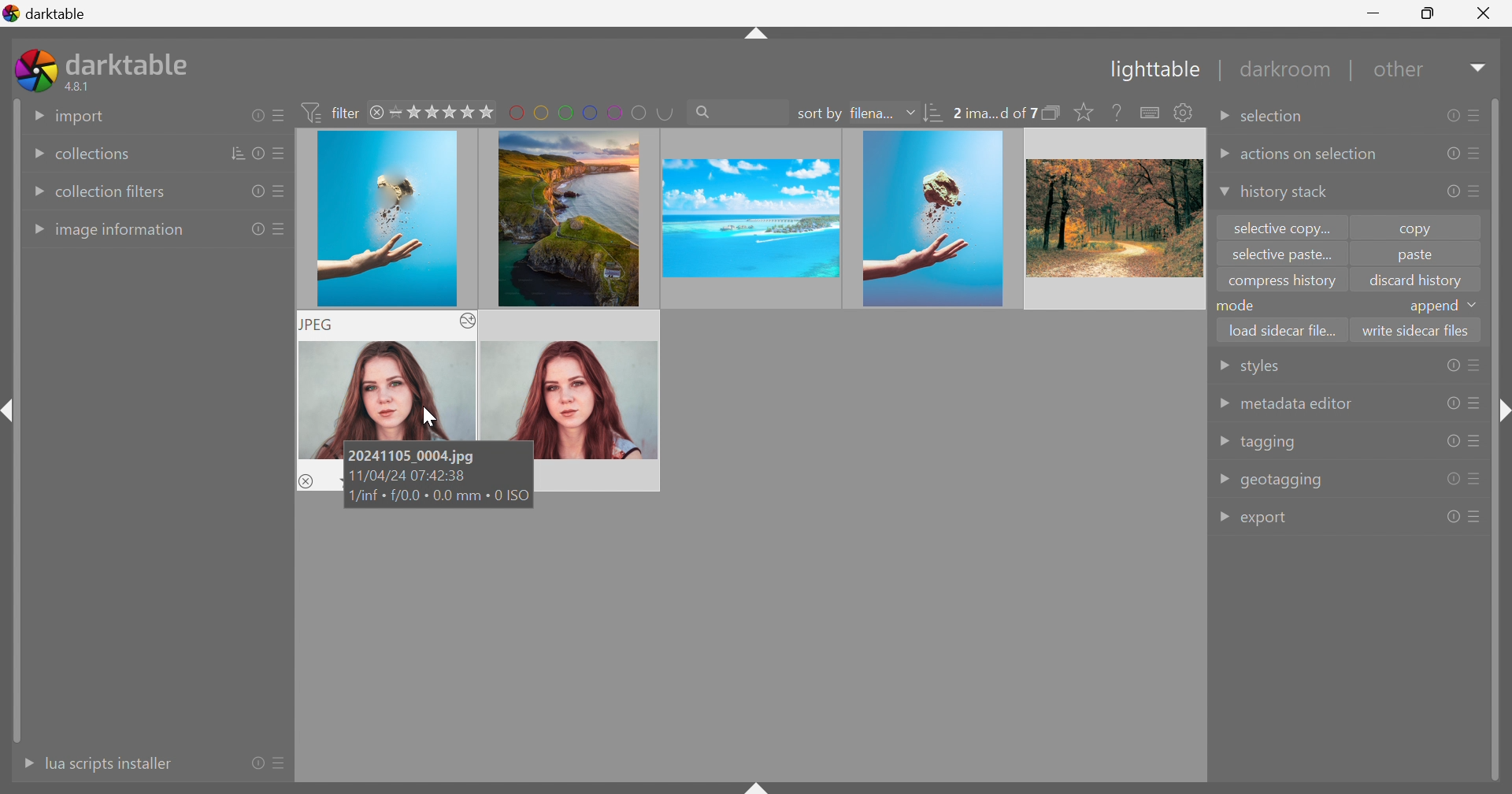 The image size is (1512, 794). Describe the element at coordinates (1501, 414) in the screenshot. I see `shift+ctrl+r` at that location.